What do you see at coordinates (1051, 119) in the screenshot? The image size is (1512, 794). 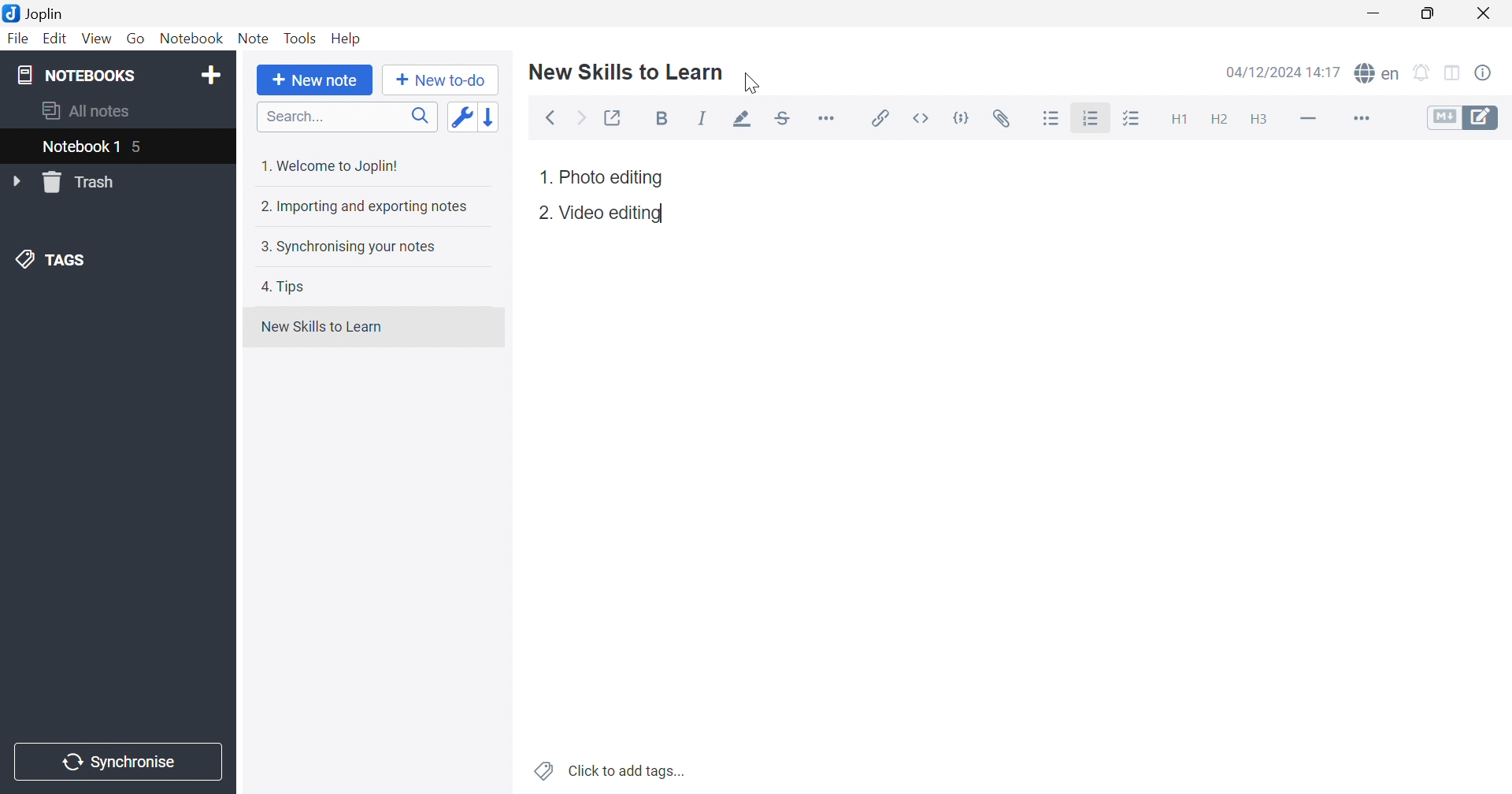 I see `Bullet list` at bounding box center [1051, 119].